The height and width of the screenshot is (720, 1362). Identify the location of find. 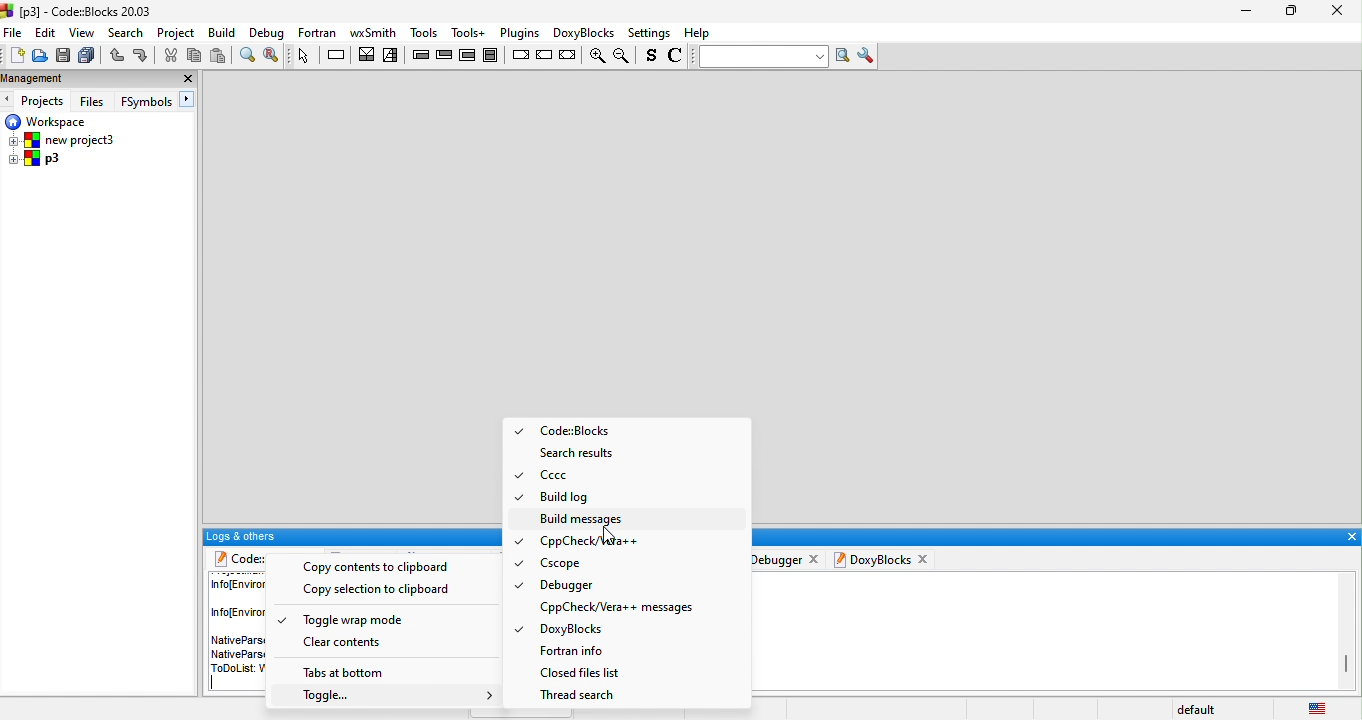
(246, 55).